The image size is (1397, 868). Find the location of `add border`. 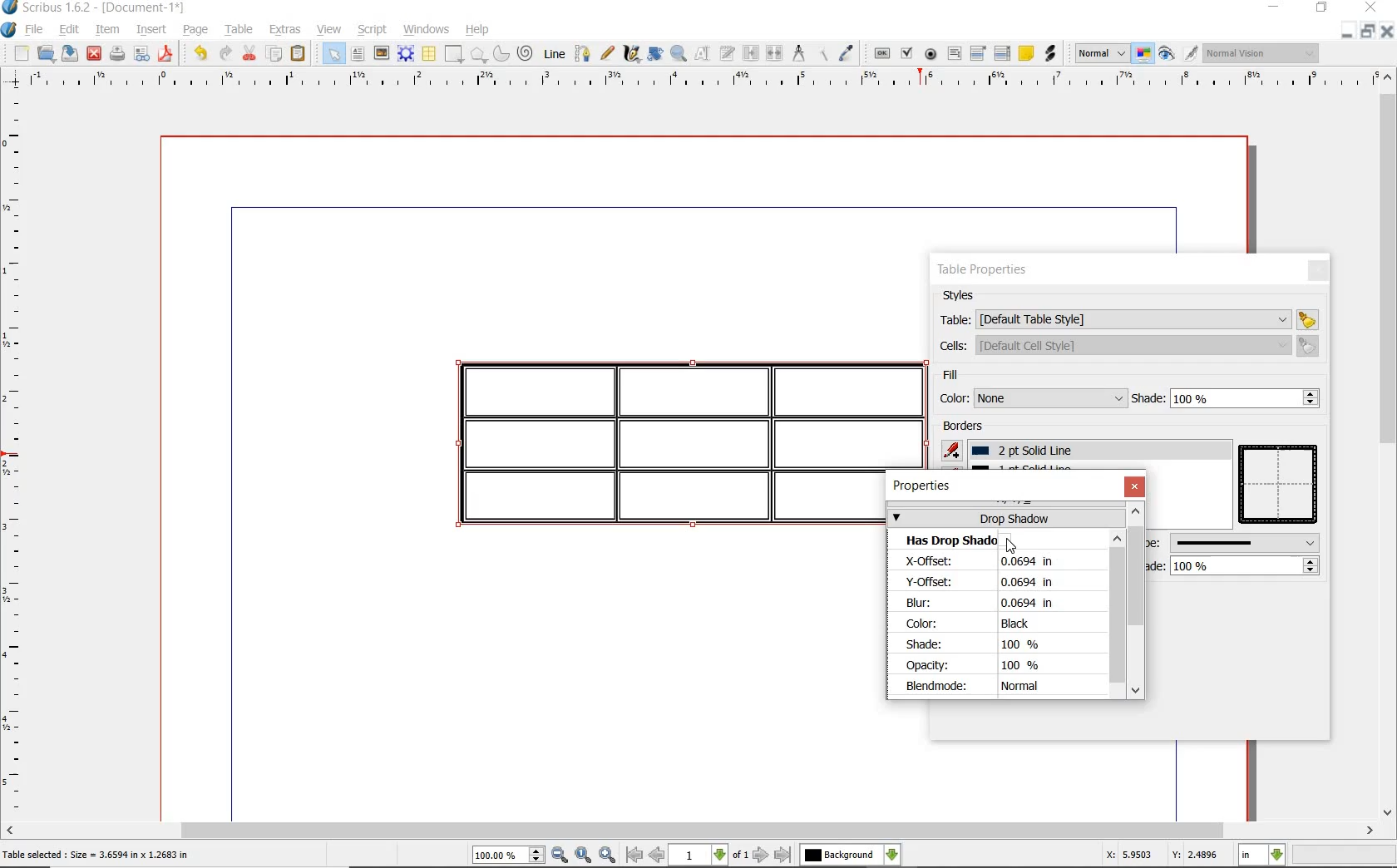

add border is located at coordinates (954, 450).